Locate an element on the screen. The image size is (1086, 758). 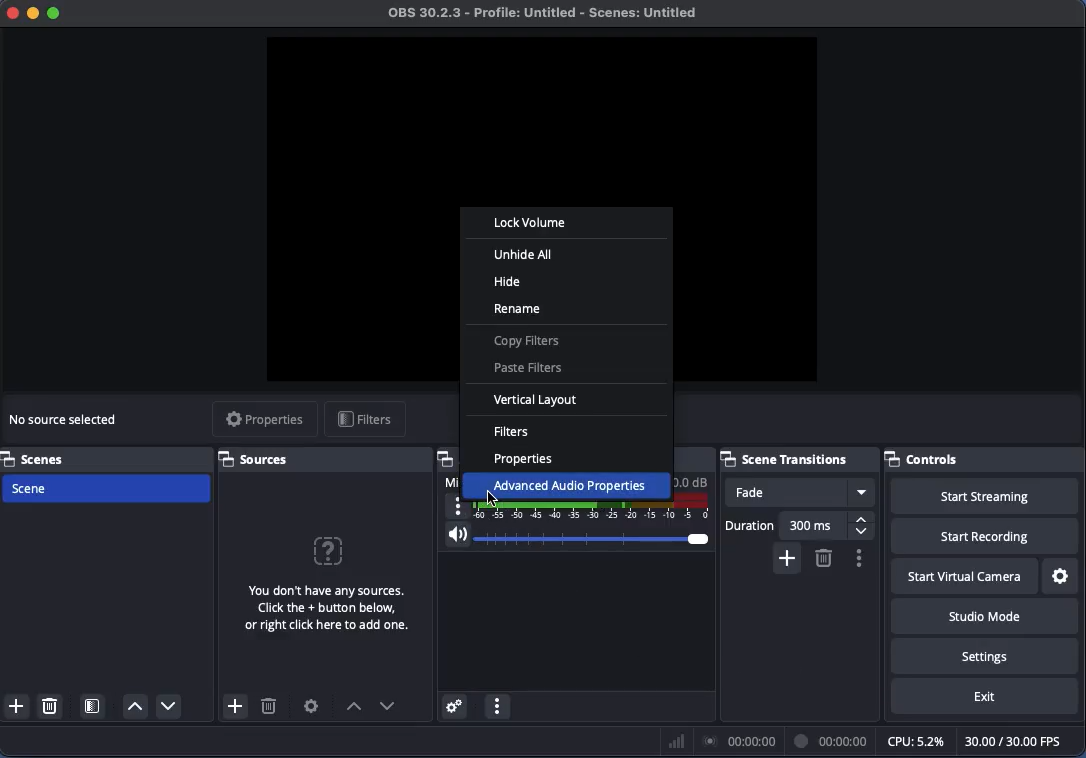
Rename is located at coordinates (517, 310).